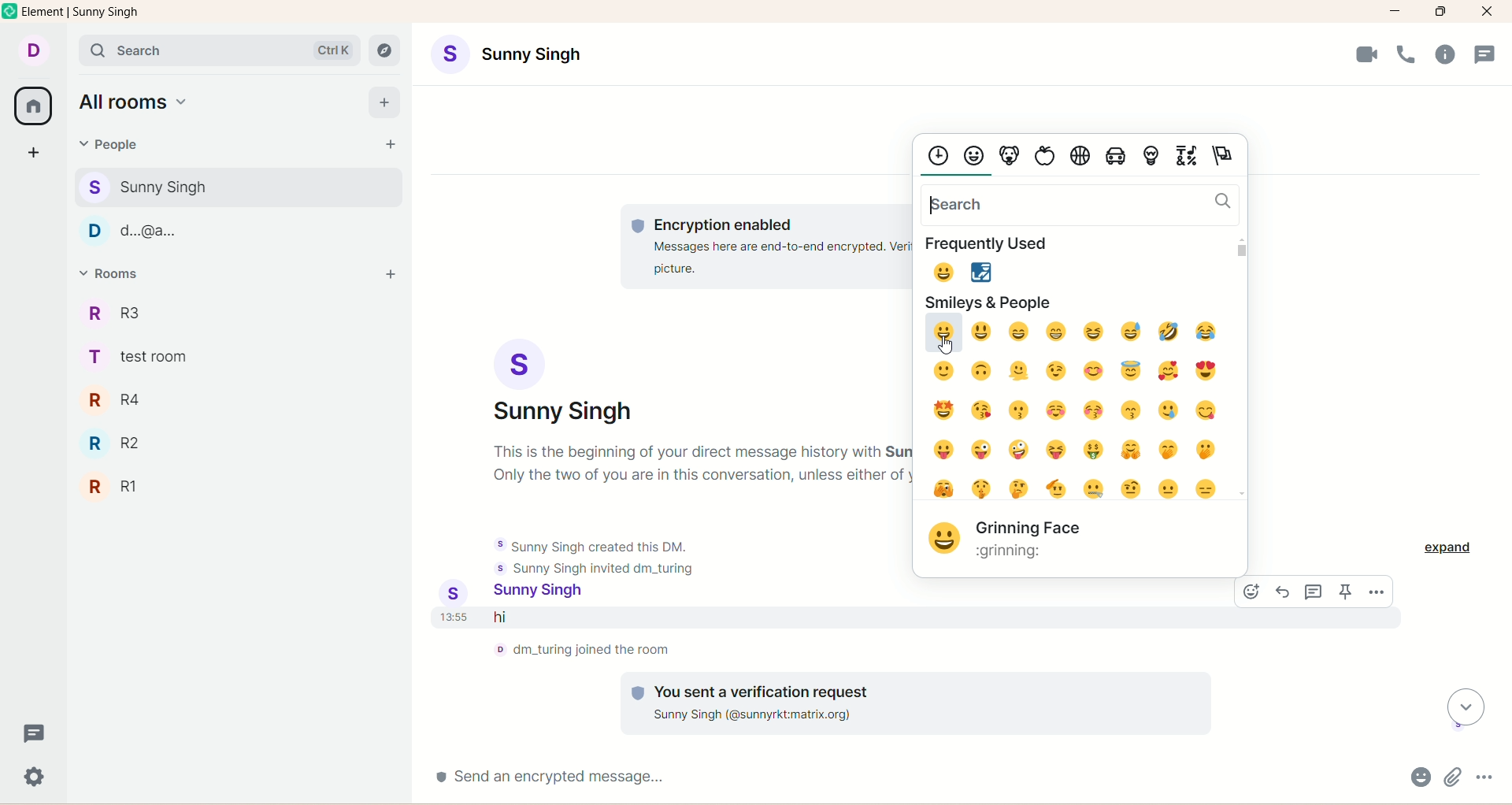  Describe the element at coordinates (1080, 158) in the screenshot. I see `Activities` at that location.